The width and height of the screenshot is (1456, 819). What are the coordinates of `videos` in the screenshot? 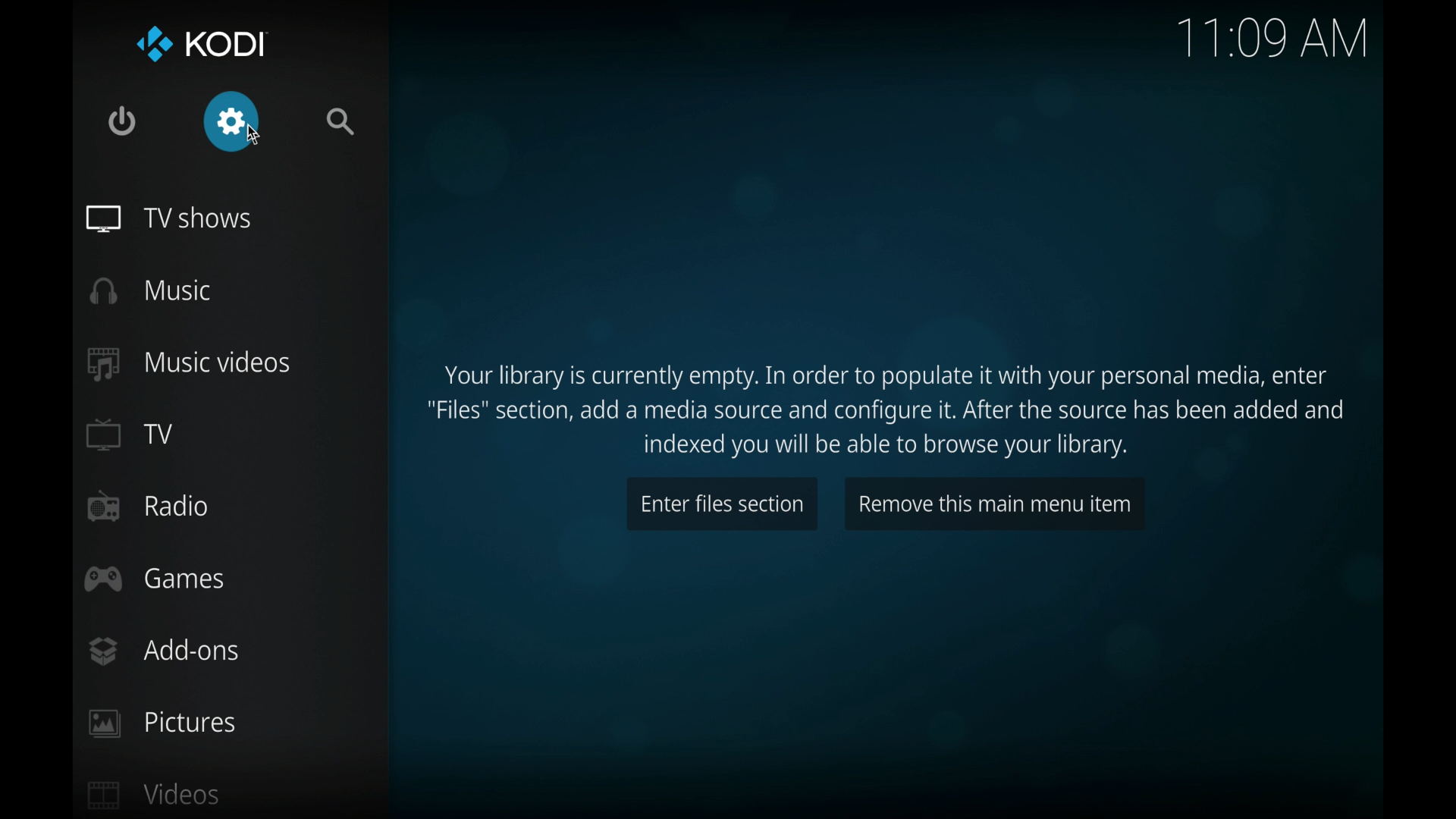 It's located at (154, 794).